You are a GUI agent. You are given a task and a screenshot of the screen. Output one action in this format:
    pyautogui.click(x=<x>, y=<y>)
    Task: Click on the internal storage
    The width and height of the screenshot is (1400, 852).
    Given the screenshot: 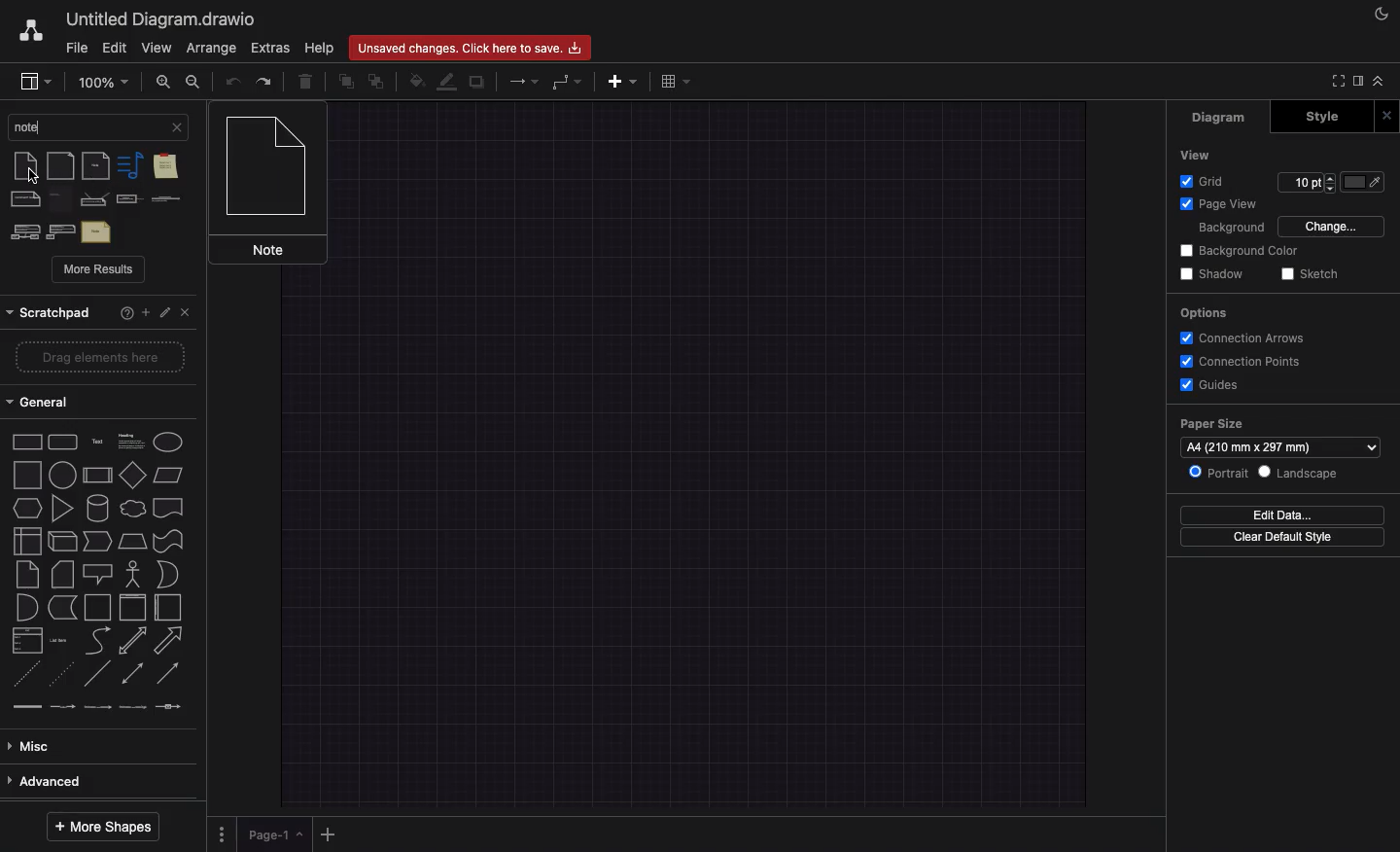 What is the action you would take?
    pyautogui.click(x=25, y=541)
    